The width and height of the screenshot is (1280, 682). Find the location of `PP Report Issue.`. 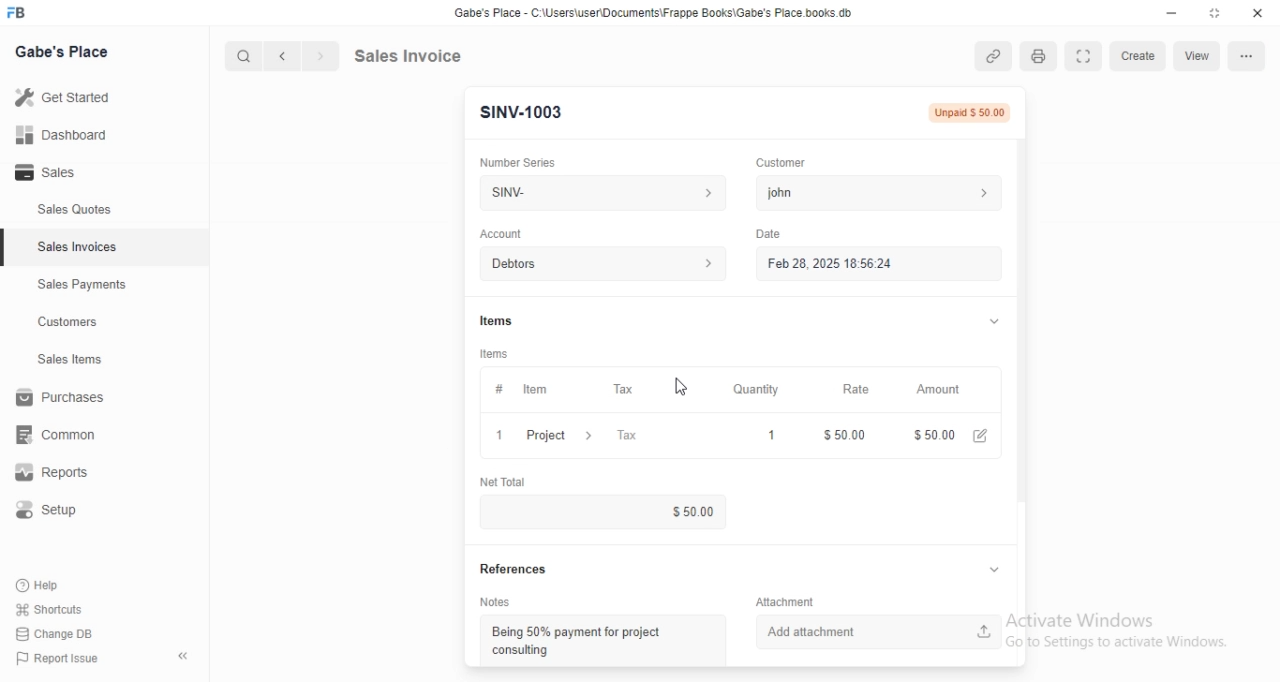

PP Report Issue. is located at coordinates (64, 662).